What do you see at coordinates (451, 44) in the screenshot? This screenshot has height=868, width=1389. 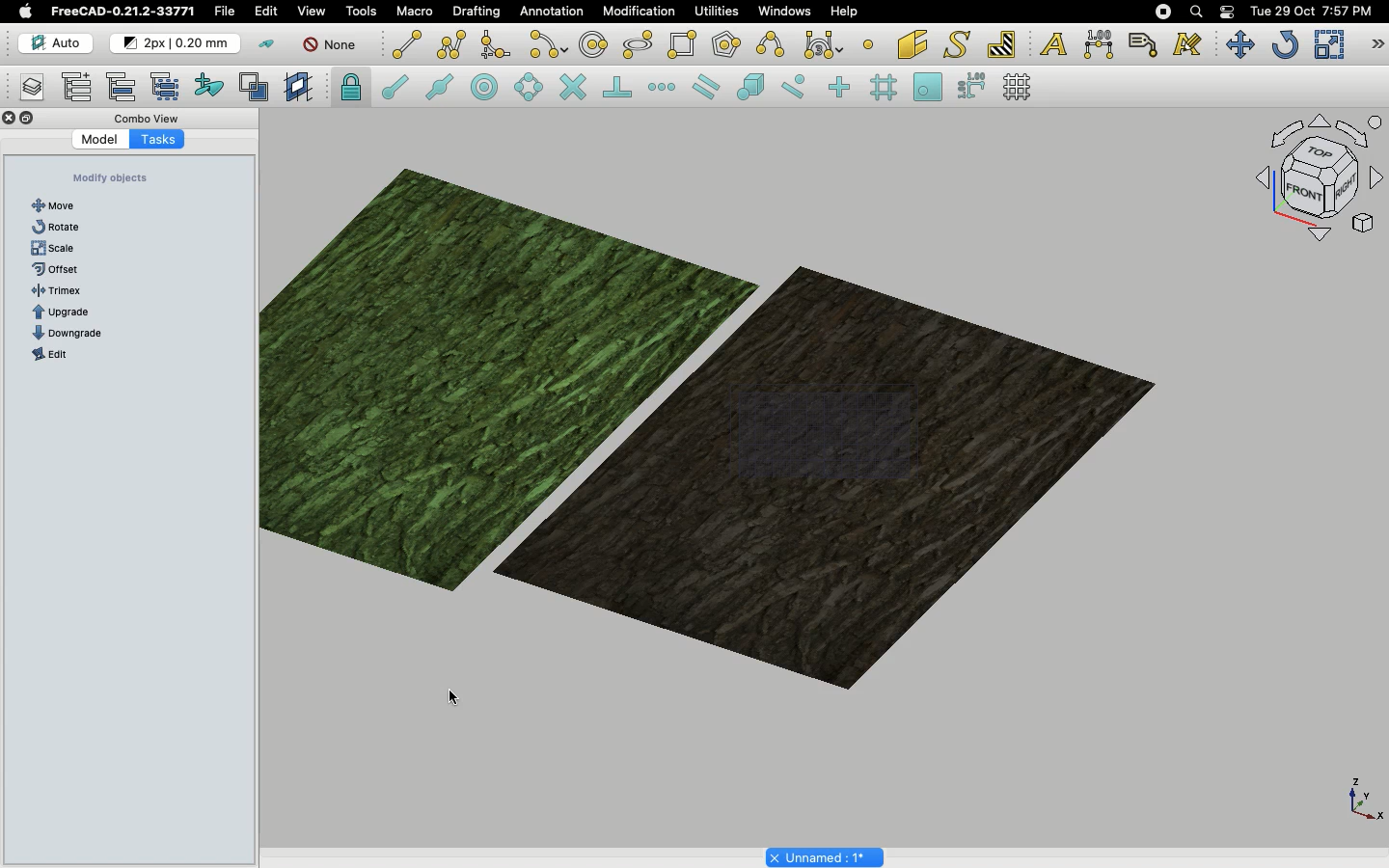 I see `Polyline` at bounding box center [451, 44].